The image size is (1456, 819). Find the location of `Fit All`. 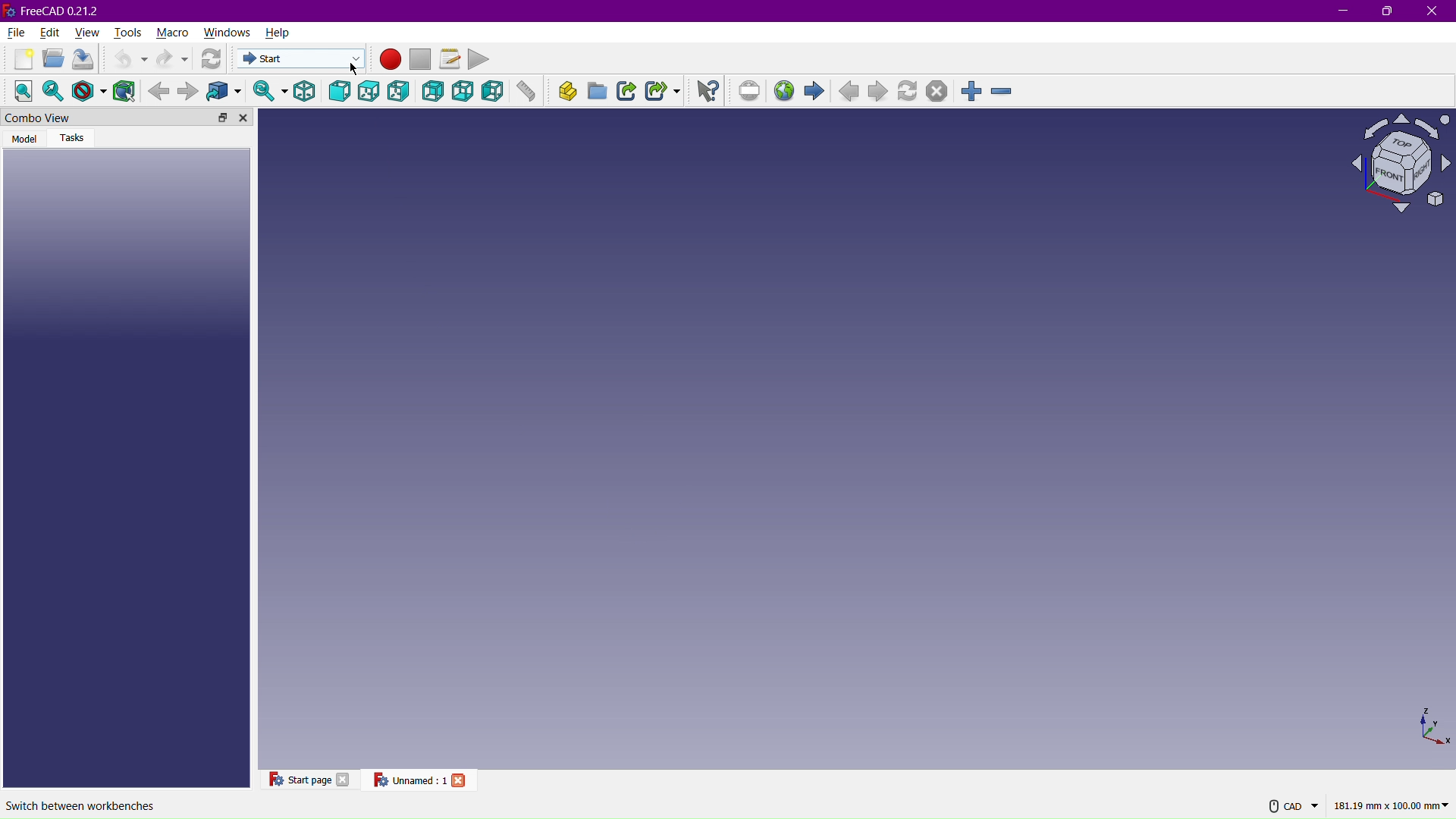

Fit All is located at coordinates (21, 89).